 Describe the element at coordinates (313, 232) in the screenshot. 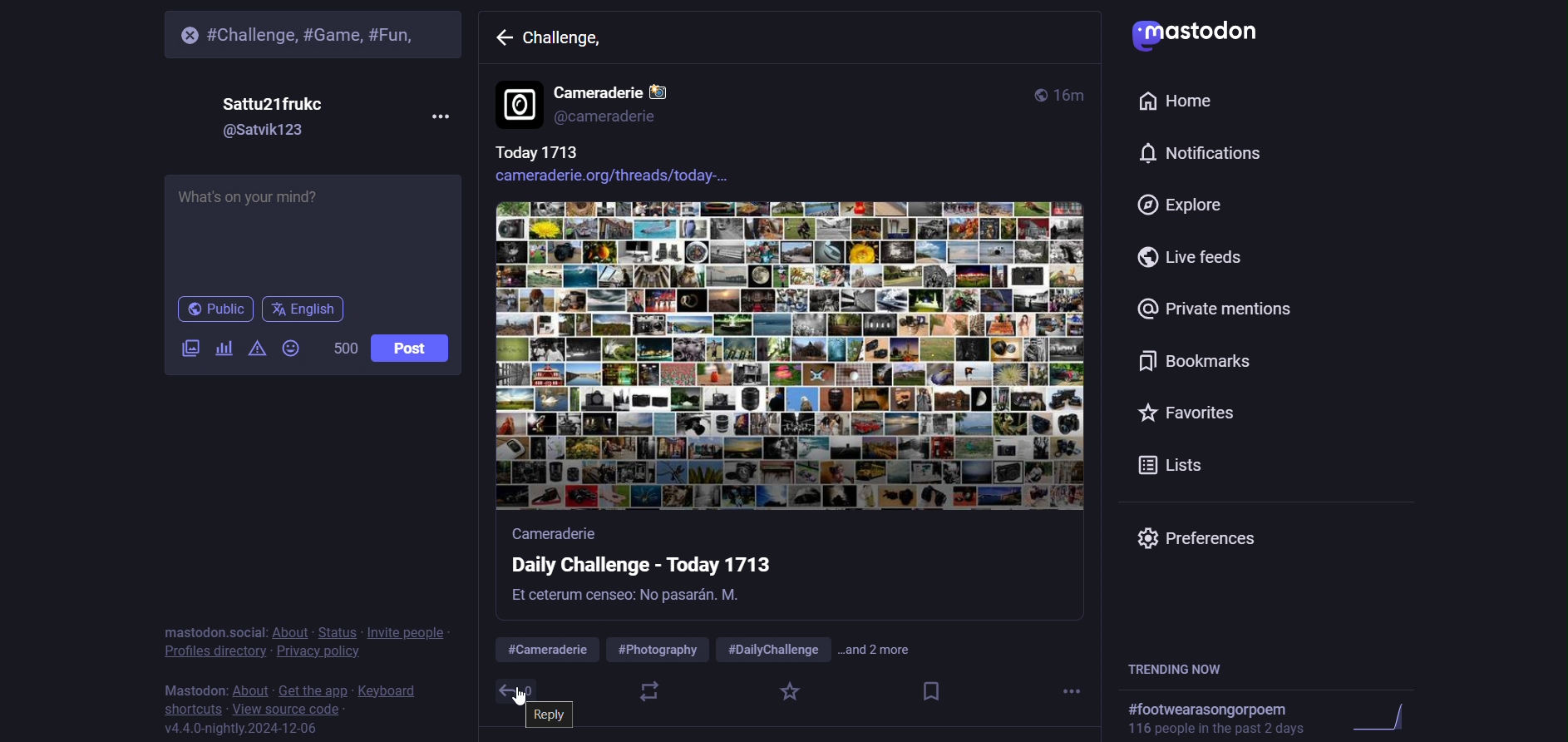

I see `What's on your mind?` at that location.